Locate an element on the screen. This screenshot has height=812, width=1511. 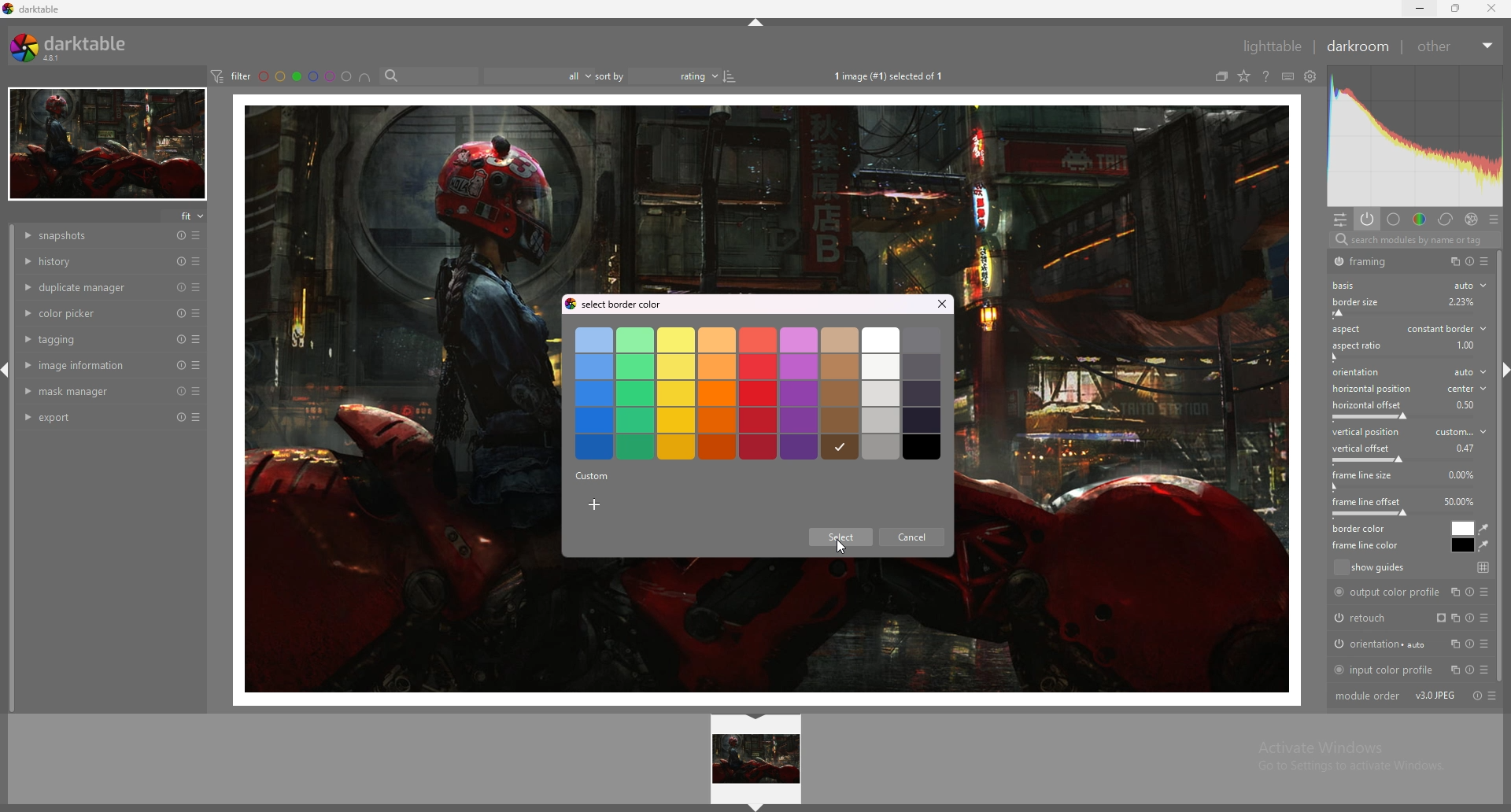
show active modules is located at coordinates (1365, 219).